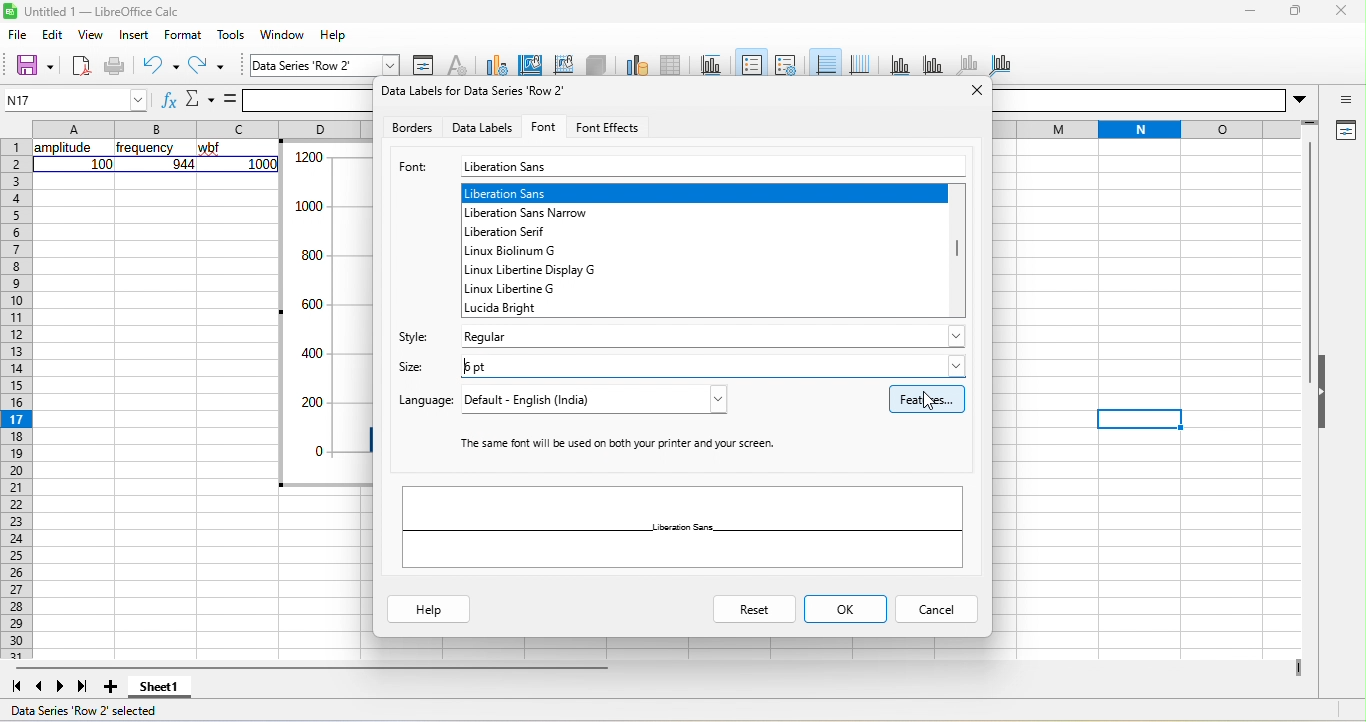  What do you see at coordinates (1291, 12) in the screenshot?
I see `maximize` at bounding box center [1291, 12].